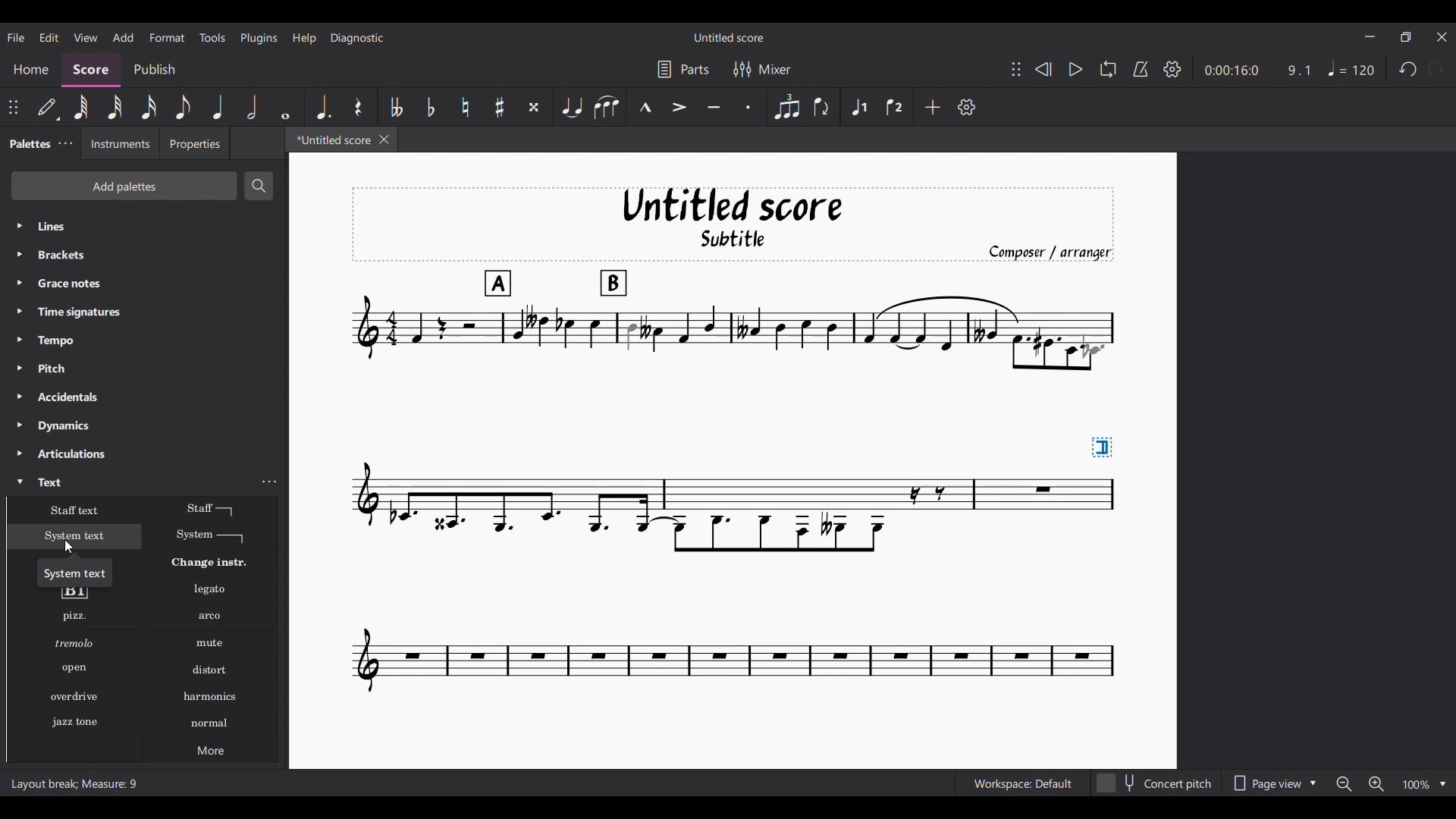 The image size is (1456, 819). I want to click on Redo, so click(1436, 69).